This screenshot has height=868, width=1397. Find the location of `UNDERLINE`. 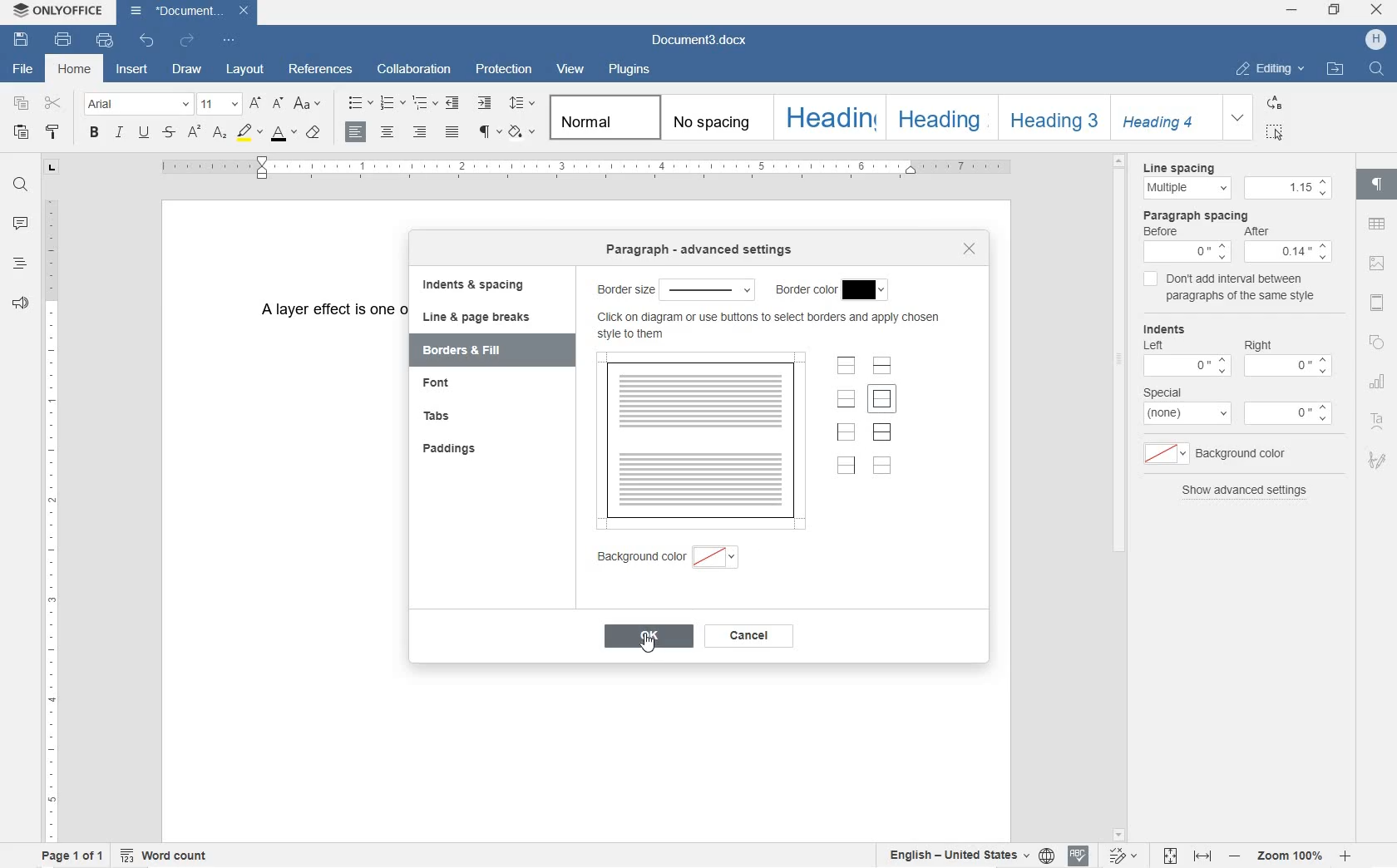

UNDERLINE is located at coordinates (146, 133).